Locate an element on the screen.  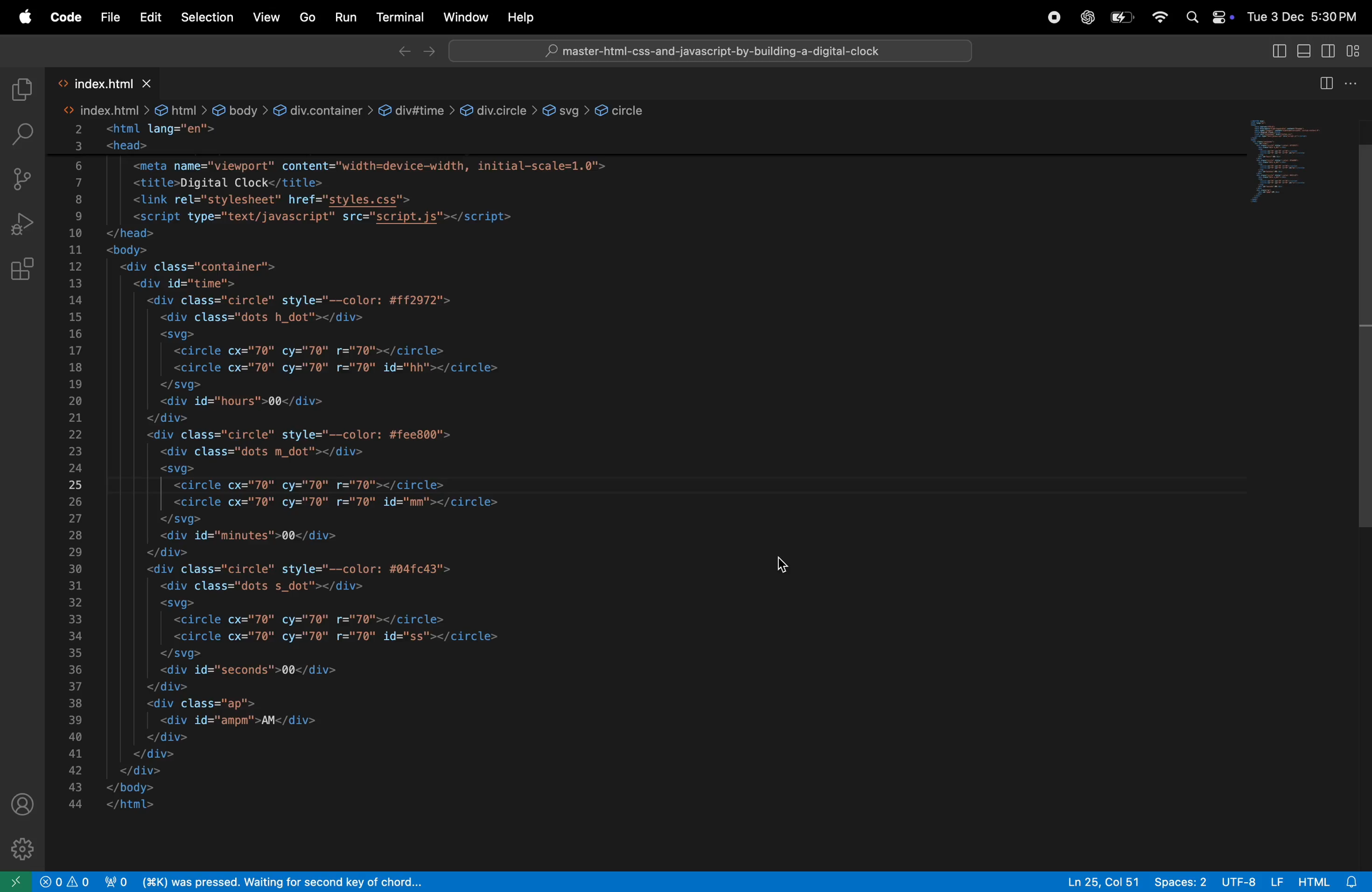
ln 25 col 51 is located at coordinates (1103, 880).